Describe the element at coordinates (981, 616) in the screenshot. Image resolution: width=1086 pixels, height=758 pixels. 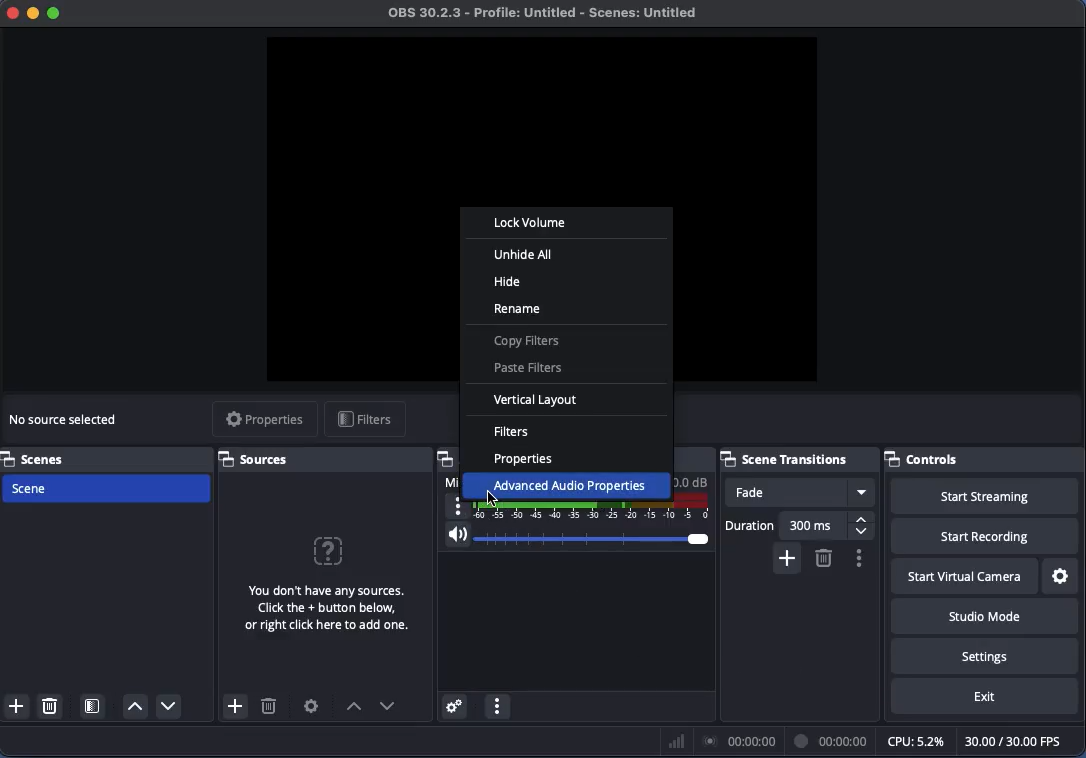
I see `Studio mode` at that location.